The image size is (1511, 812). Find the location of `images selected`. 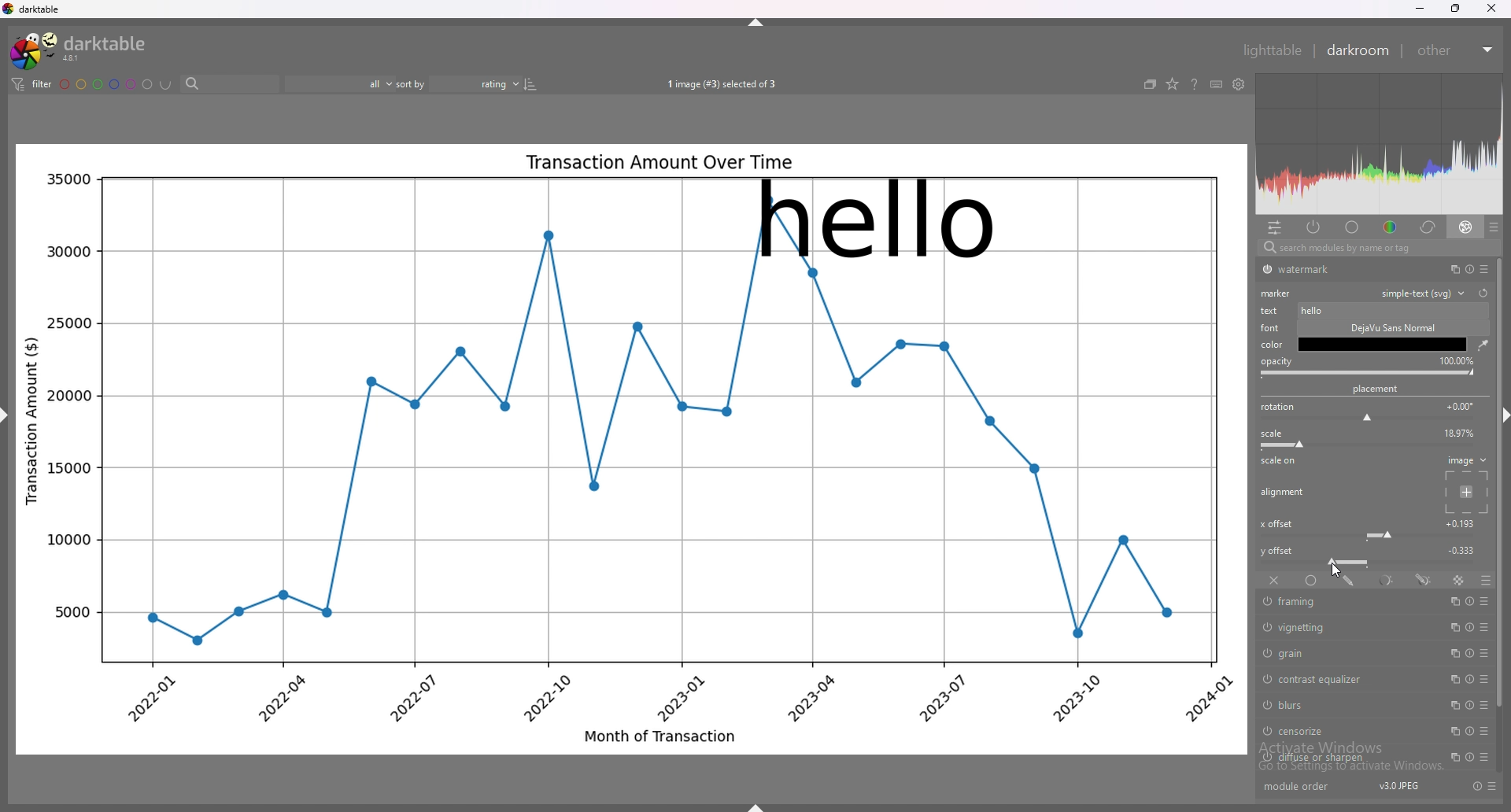

images selected is located at coordinates (719, 84).